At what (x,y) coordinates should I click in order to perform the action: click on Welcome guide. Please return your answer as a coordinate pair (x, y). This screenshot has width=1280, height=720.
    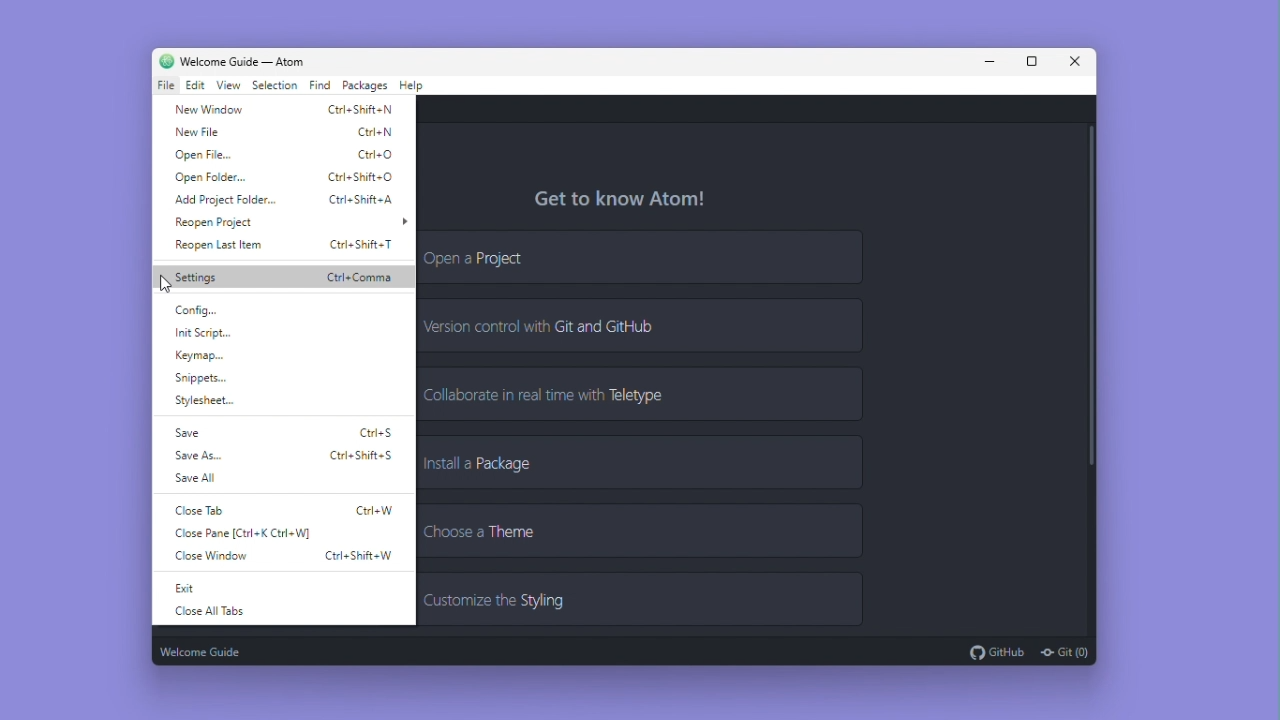
    Looking at the image, I should click on (204, 650).